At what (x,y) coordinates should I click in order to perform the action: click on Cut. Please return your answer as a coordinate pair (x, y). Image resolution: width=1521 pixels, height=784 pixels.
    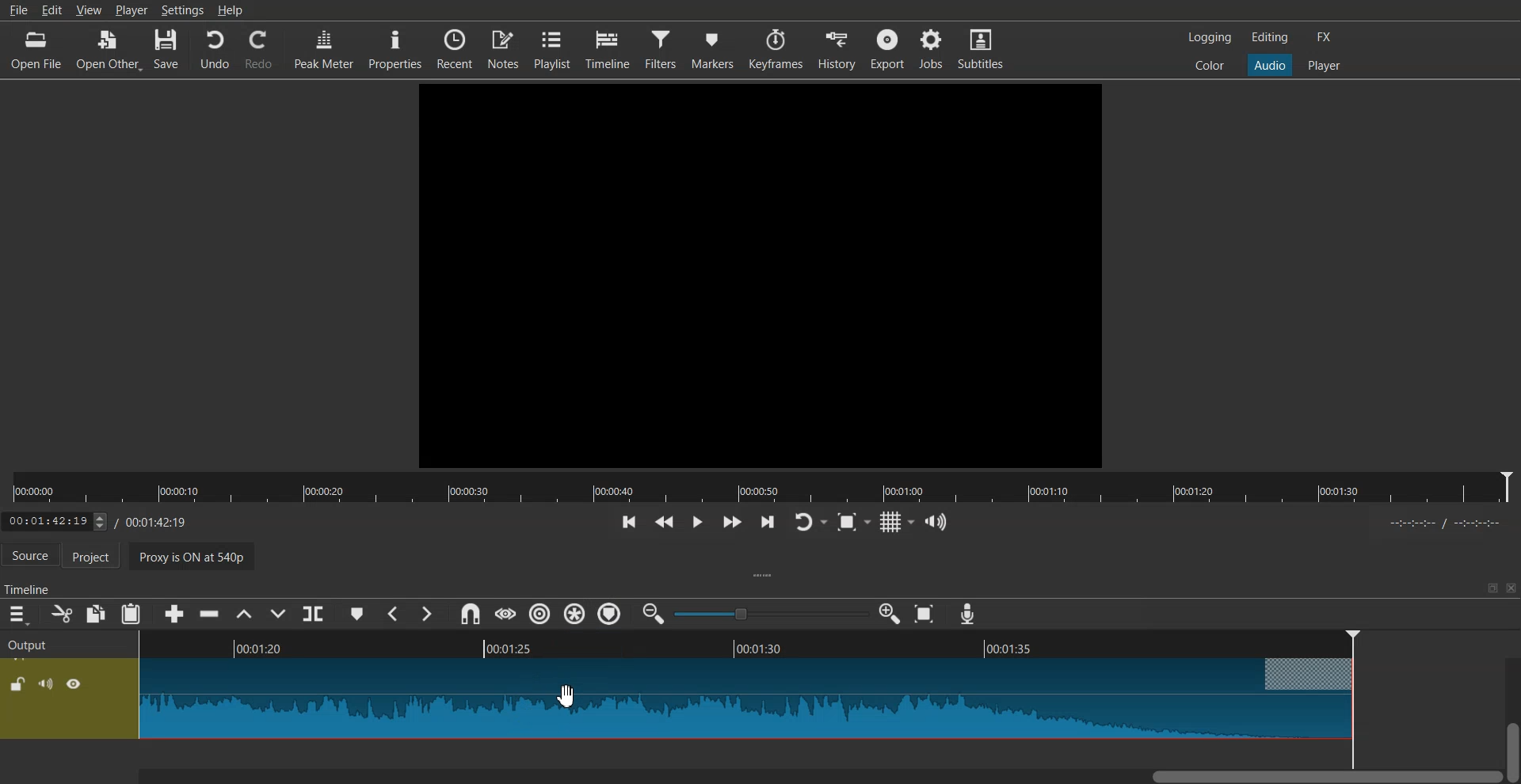
    Looking at the image, I should click on (60, 614).